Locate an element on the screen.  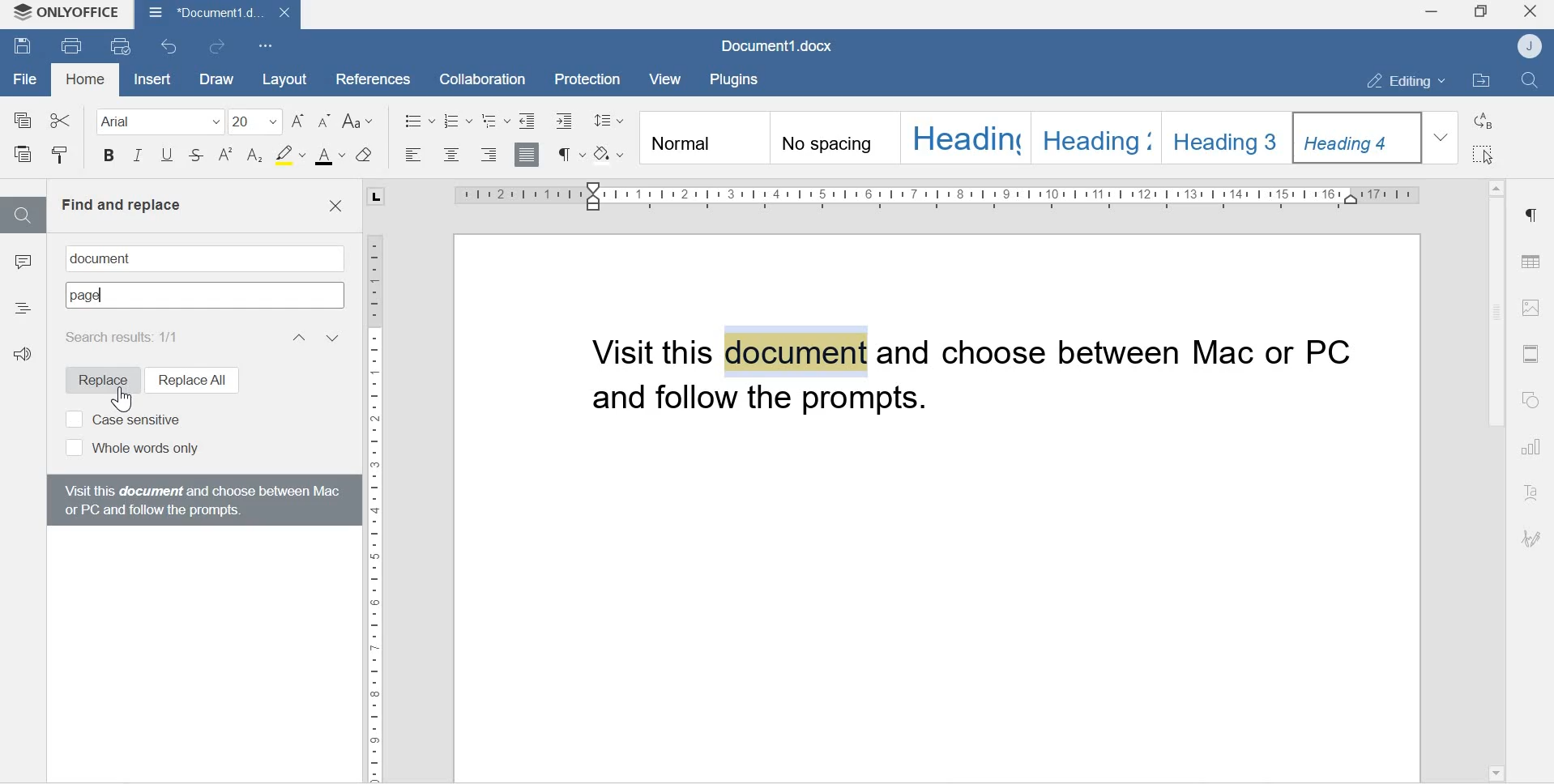
Normal is located at coordinates (702, 139).